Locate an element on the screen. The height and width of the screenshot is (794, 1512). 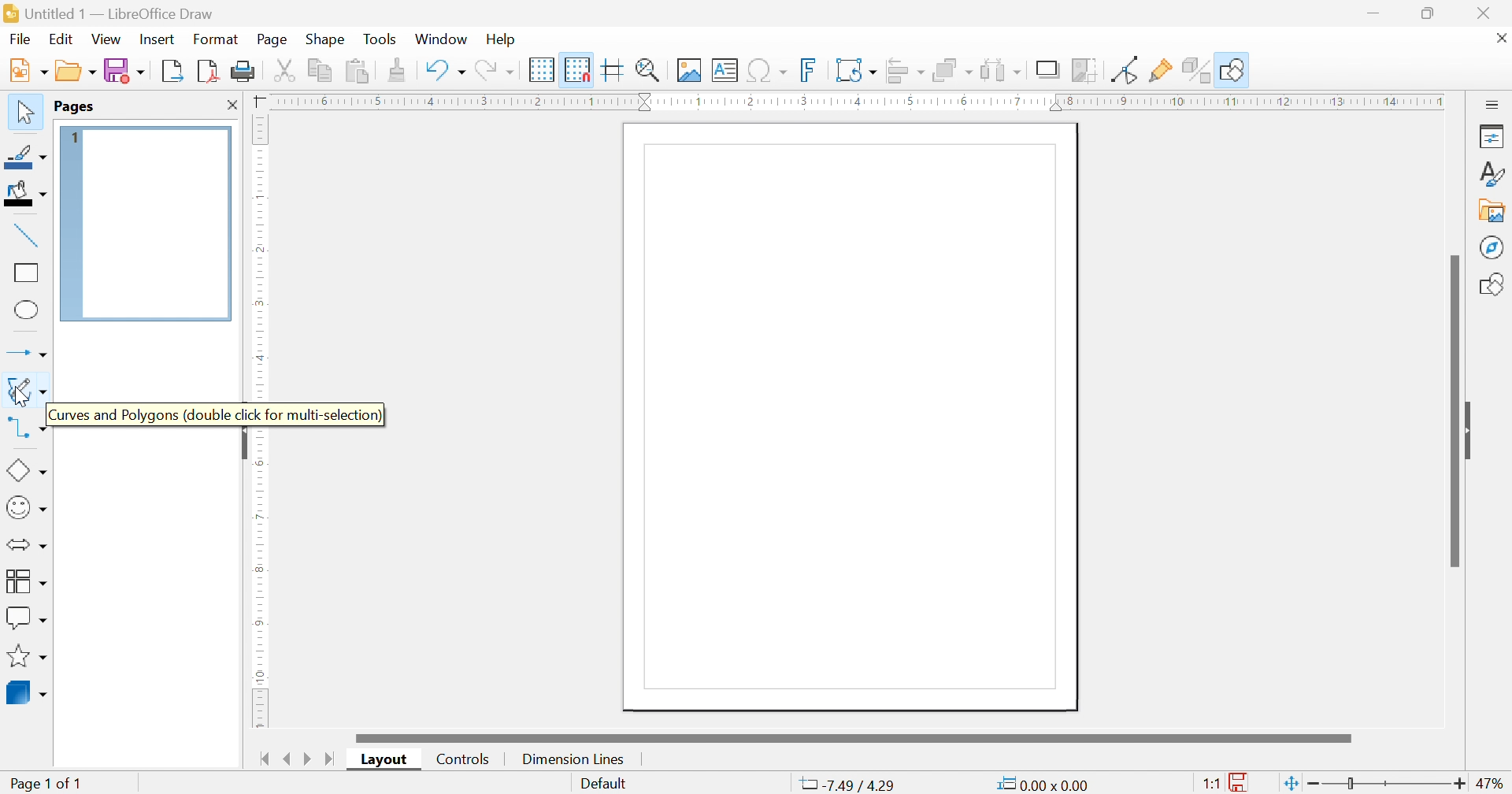
slide master name. Right-click for list or click for dialog. is located at coordinates (603, 785).